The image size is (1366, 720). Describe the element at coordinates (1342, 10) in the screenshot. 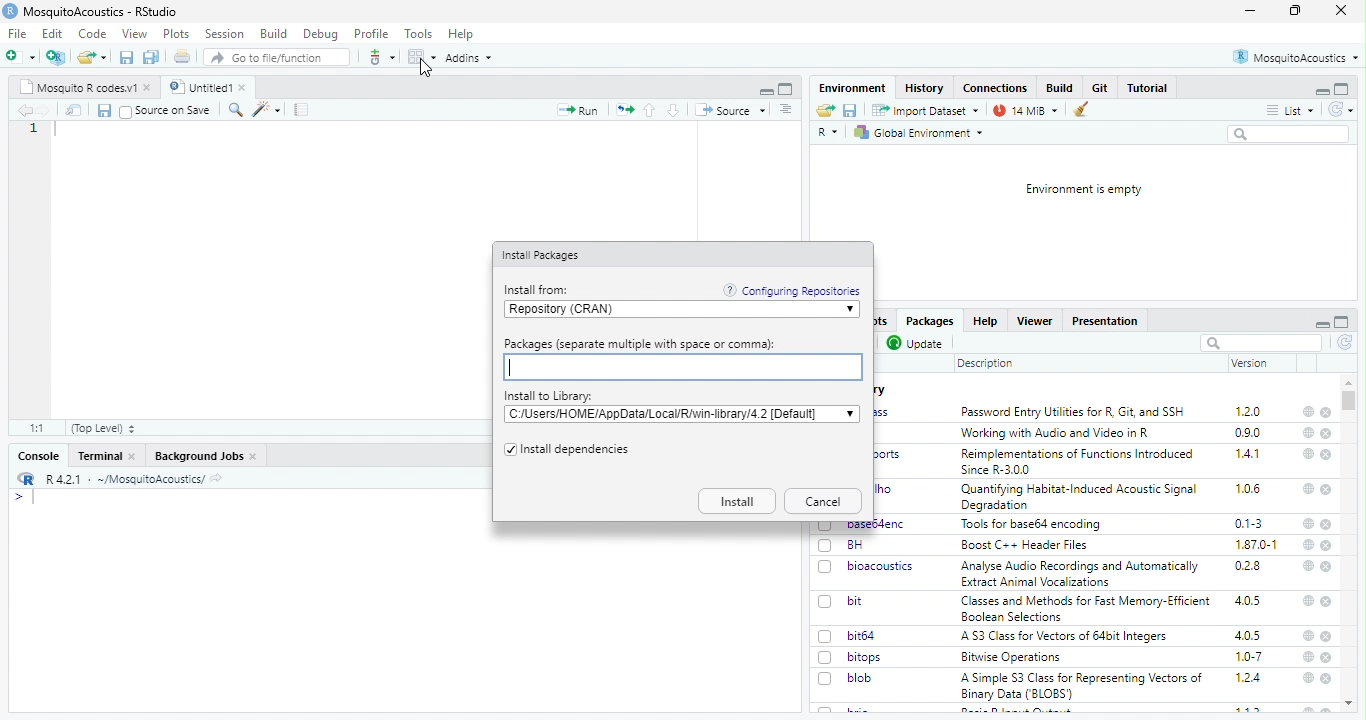

I see `close` at that location.